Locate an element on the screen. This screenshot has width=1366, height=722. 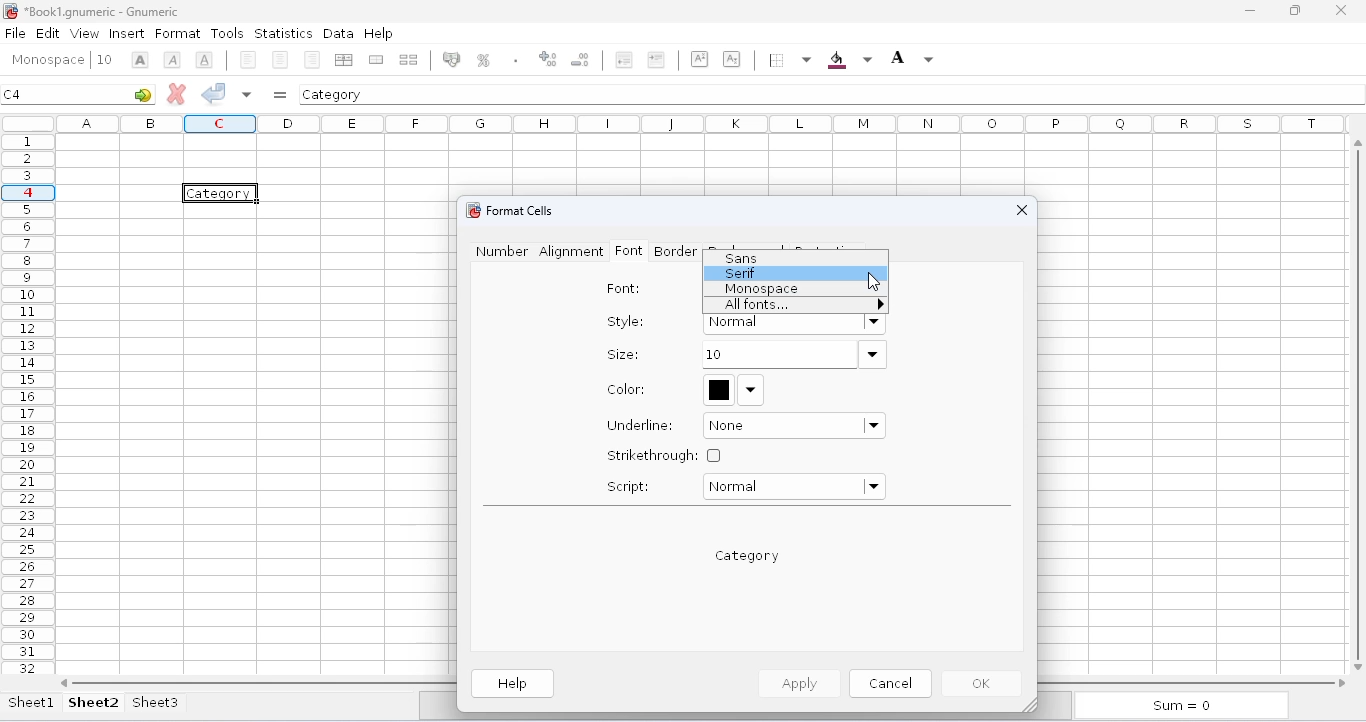
split merged range of cells is located at coordinates (409, 59).